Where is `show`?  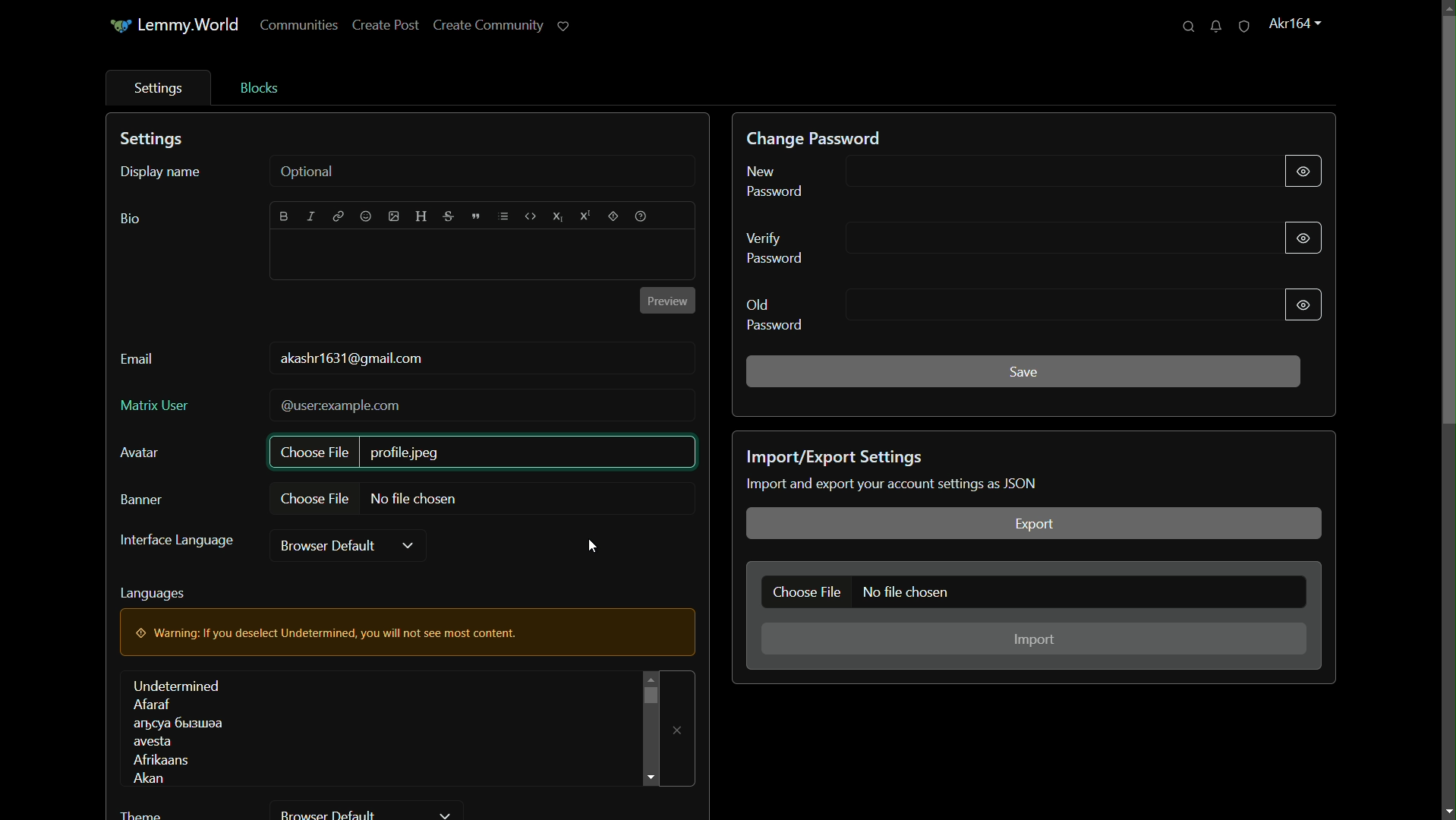 show is located at coordinates (1301, 304).